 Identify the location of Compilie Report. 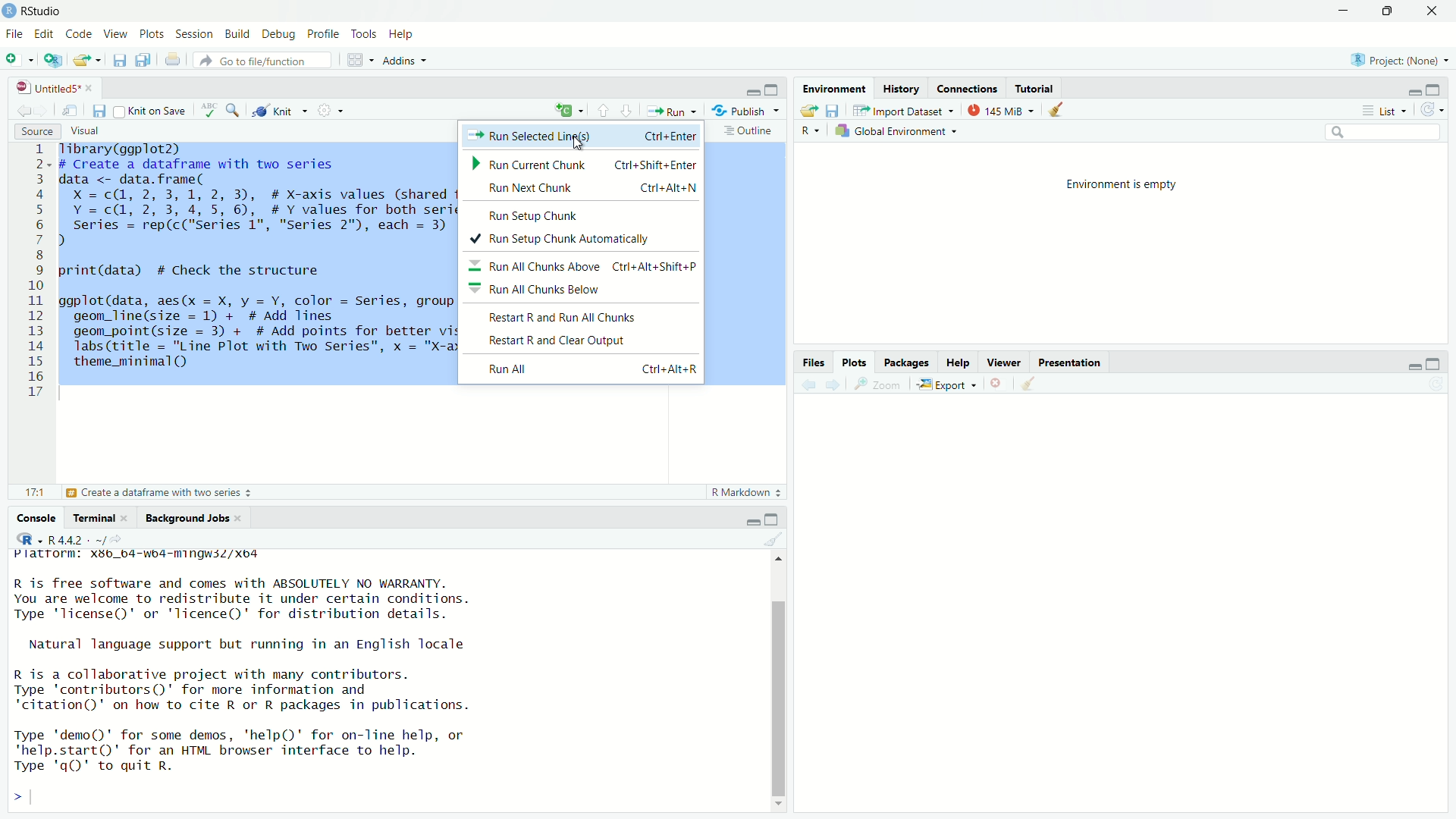
(332, 111).